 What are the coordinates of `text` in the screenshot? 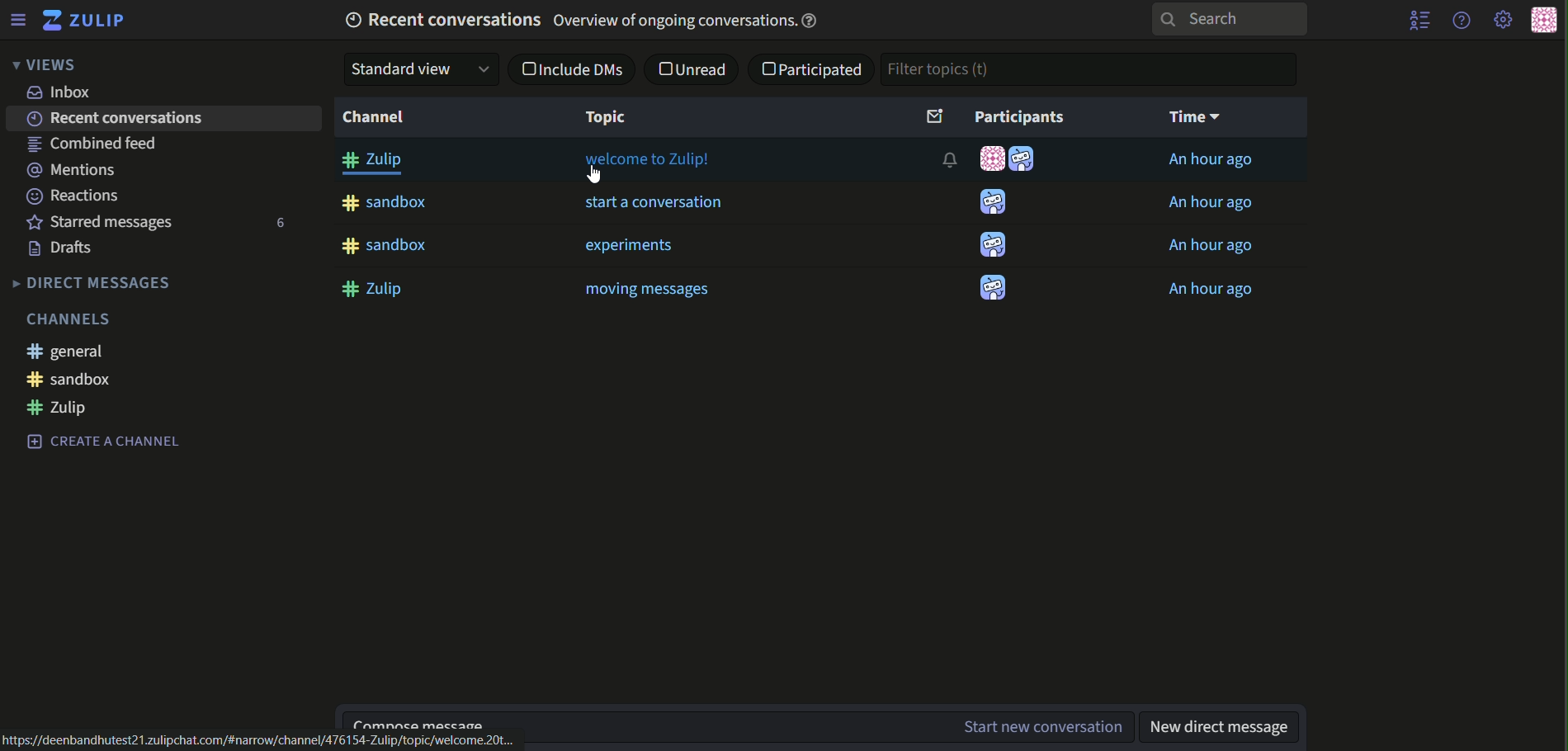 It's located at (1211, 203).